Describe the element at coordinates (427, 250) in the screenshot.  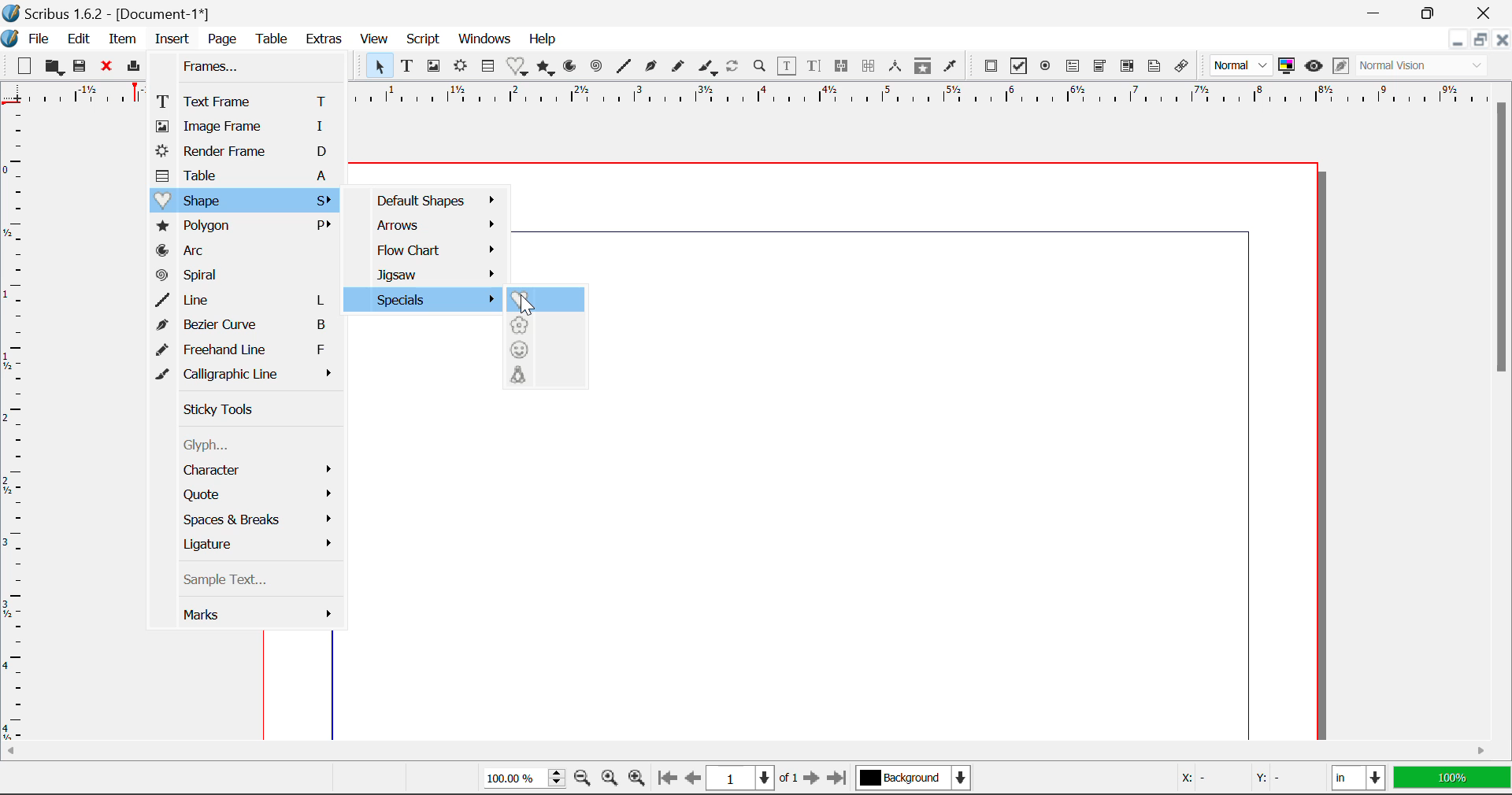
I see `Flow Chart` at that location.